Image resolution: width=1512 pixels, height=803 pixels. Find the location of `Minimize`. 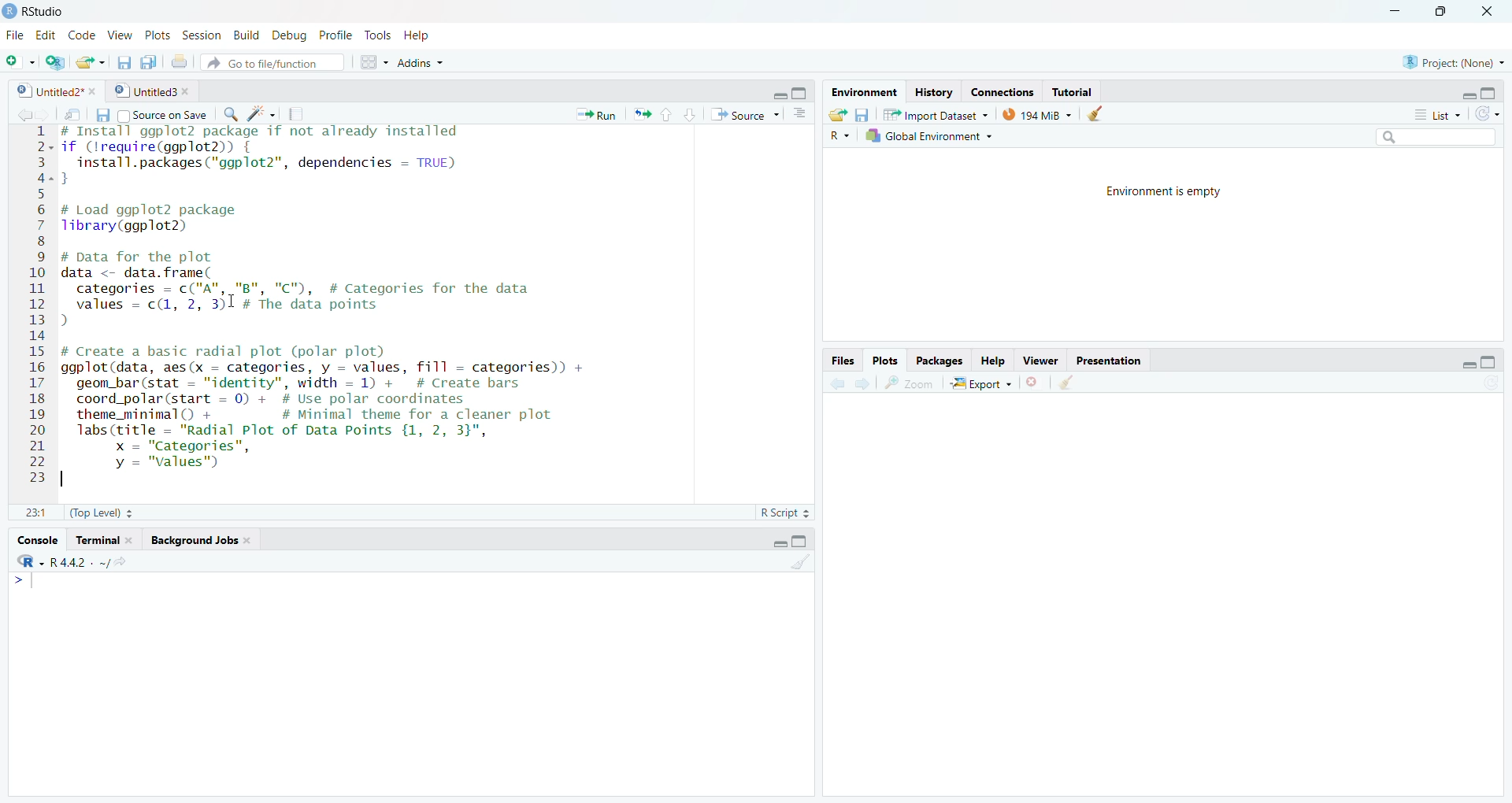

Minimize is located at coordinates (1468, 95).